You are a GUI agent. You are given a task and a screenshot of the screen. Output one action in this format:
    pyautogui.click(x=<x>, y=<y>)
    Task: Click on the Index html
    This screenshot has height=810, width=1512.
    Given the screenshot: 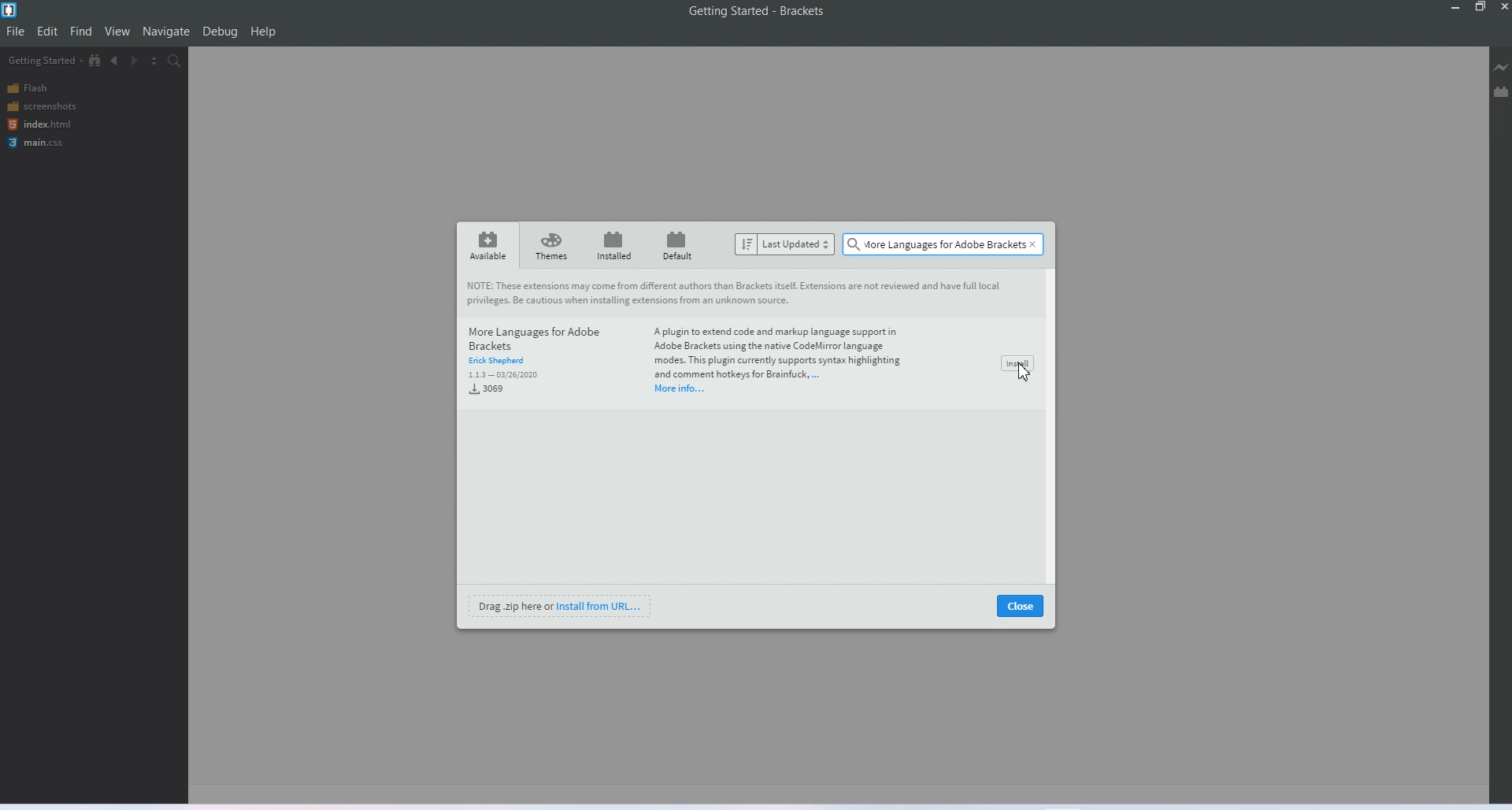 What is the action you would take?
    pyautogui.click(x=54, y=125)
    